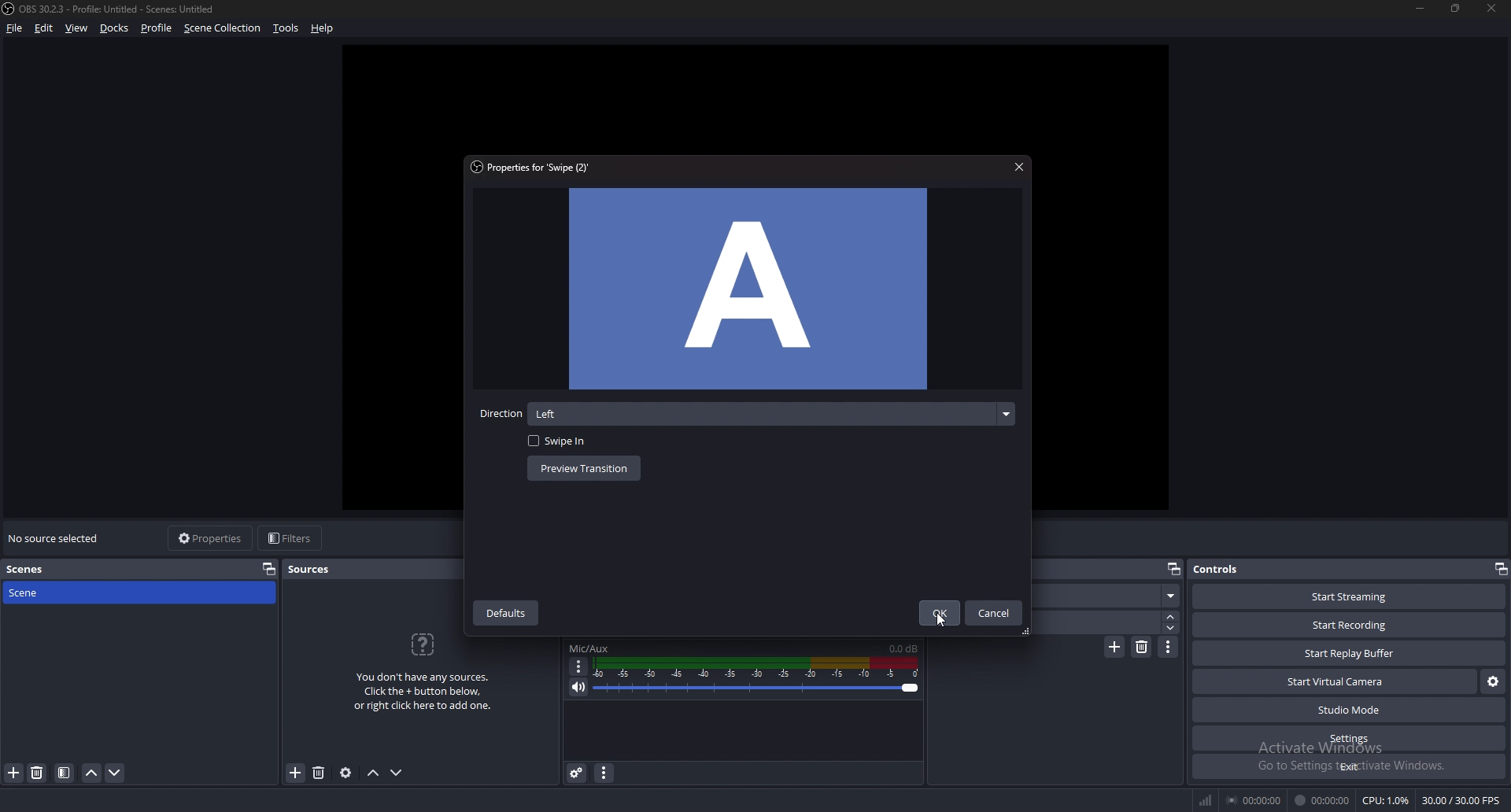 This screenshot has width=1511, height=812. Describe the element at coordinates (1420, 9) in the screenshot. I see `minimize` at that location.